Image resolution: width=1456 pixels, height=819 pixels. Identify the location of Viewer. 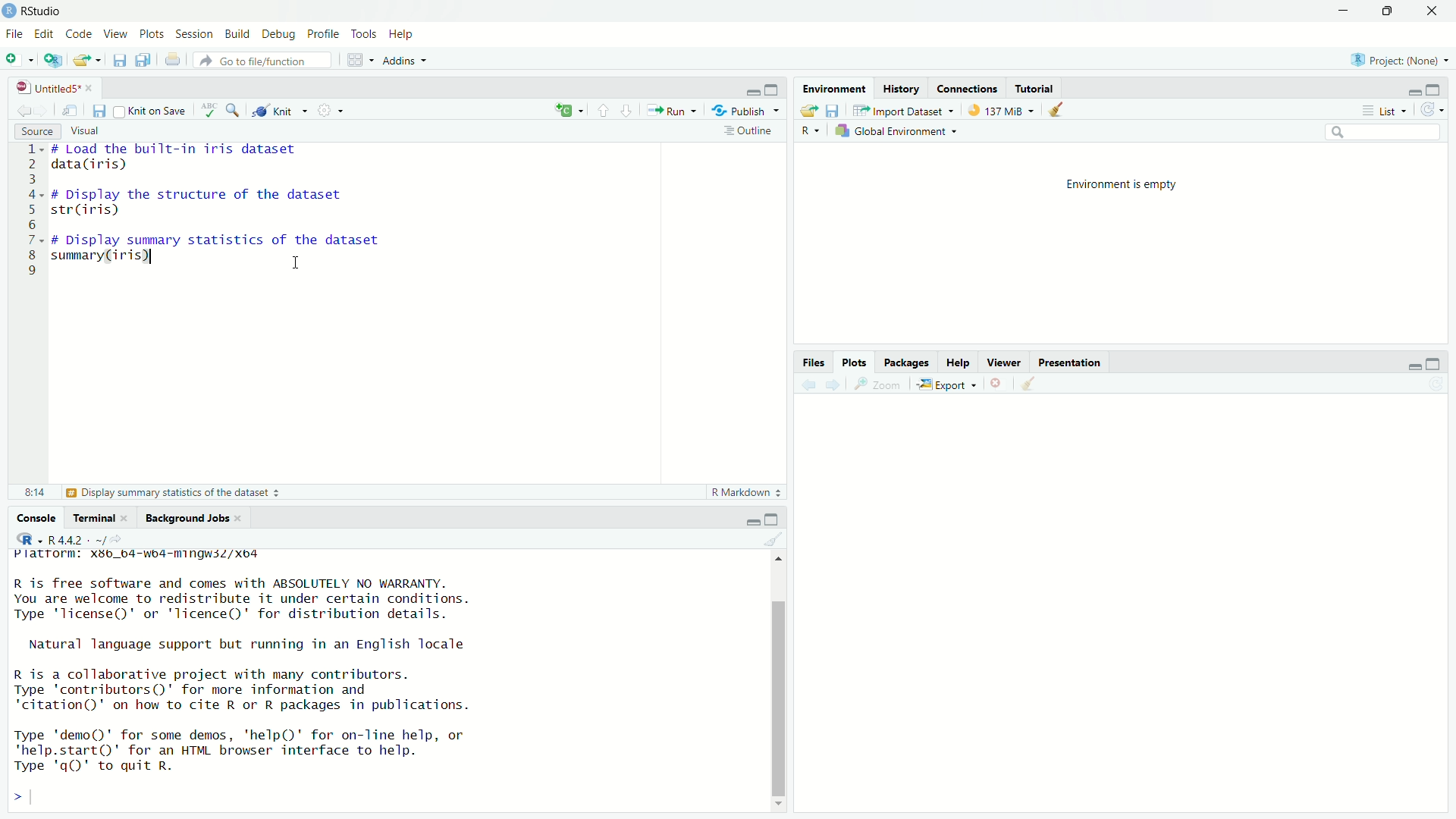
(1003, 360).